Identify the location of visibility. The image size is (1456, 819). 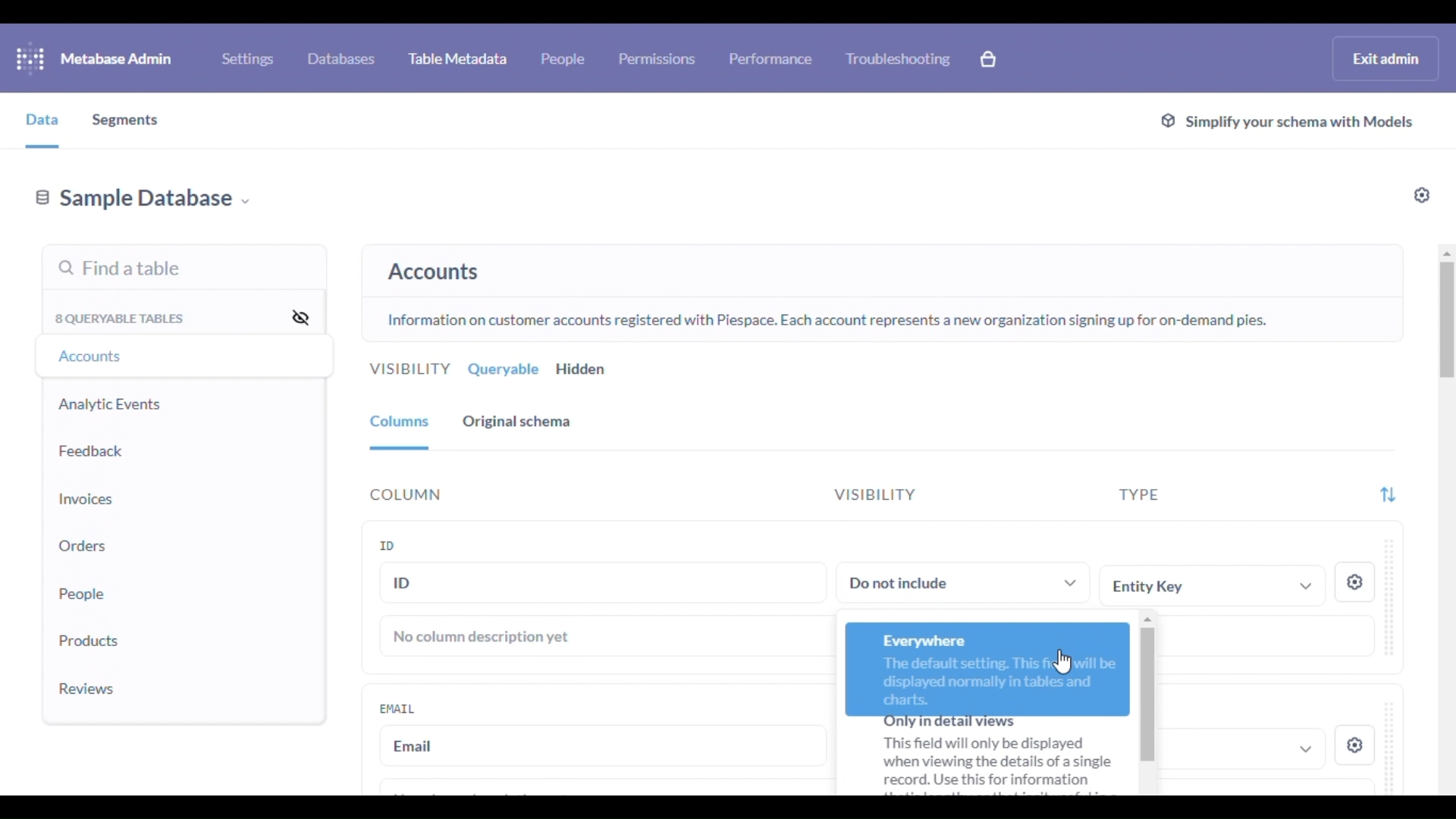
(409, 369).